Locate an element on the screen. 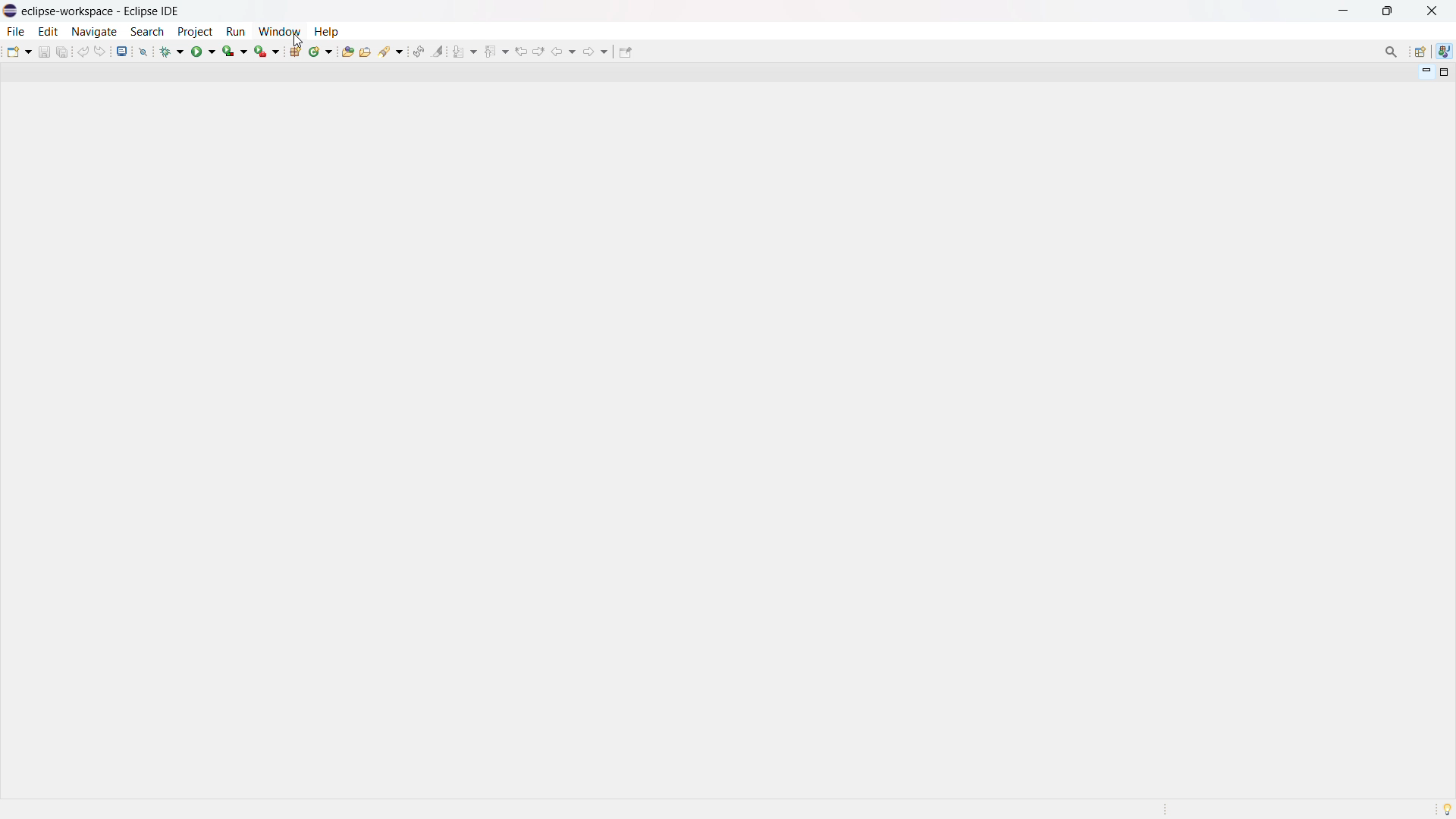 Image resolution: width=1456 pixels, height=819 pixels. coverage is located at coordinates (235, 51).